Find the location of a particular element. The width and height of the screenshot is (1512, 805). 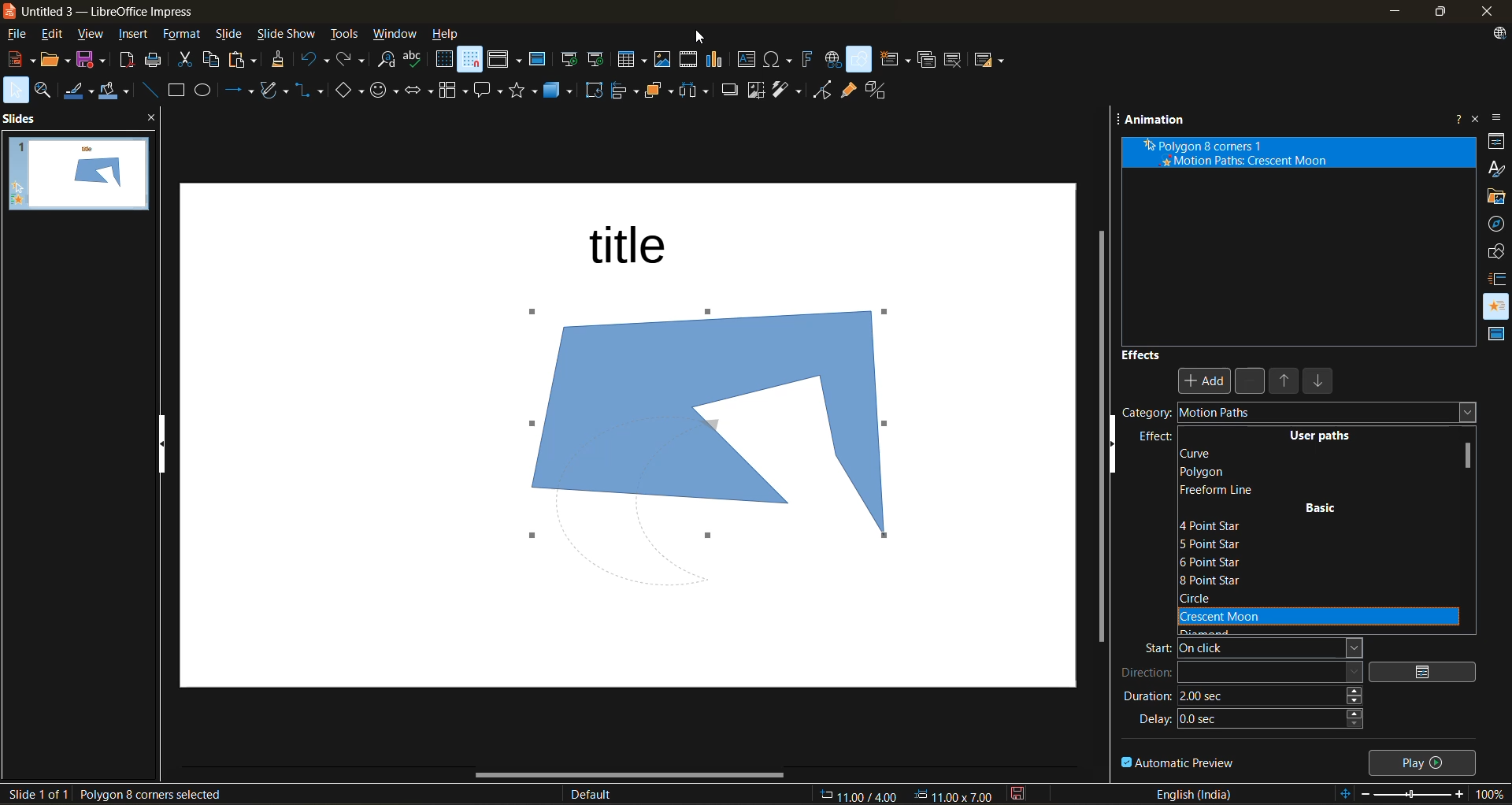

logo is located at coordinates (9, 12).